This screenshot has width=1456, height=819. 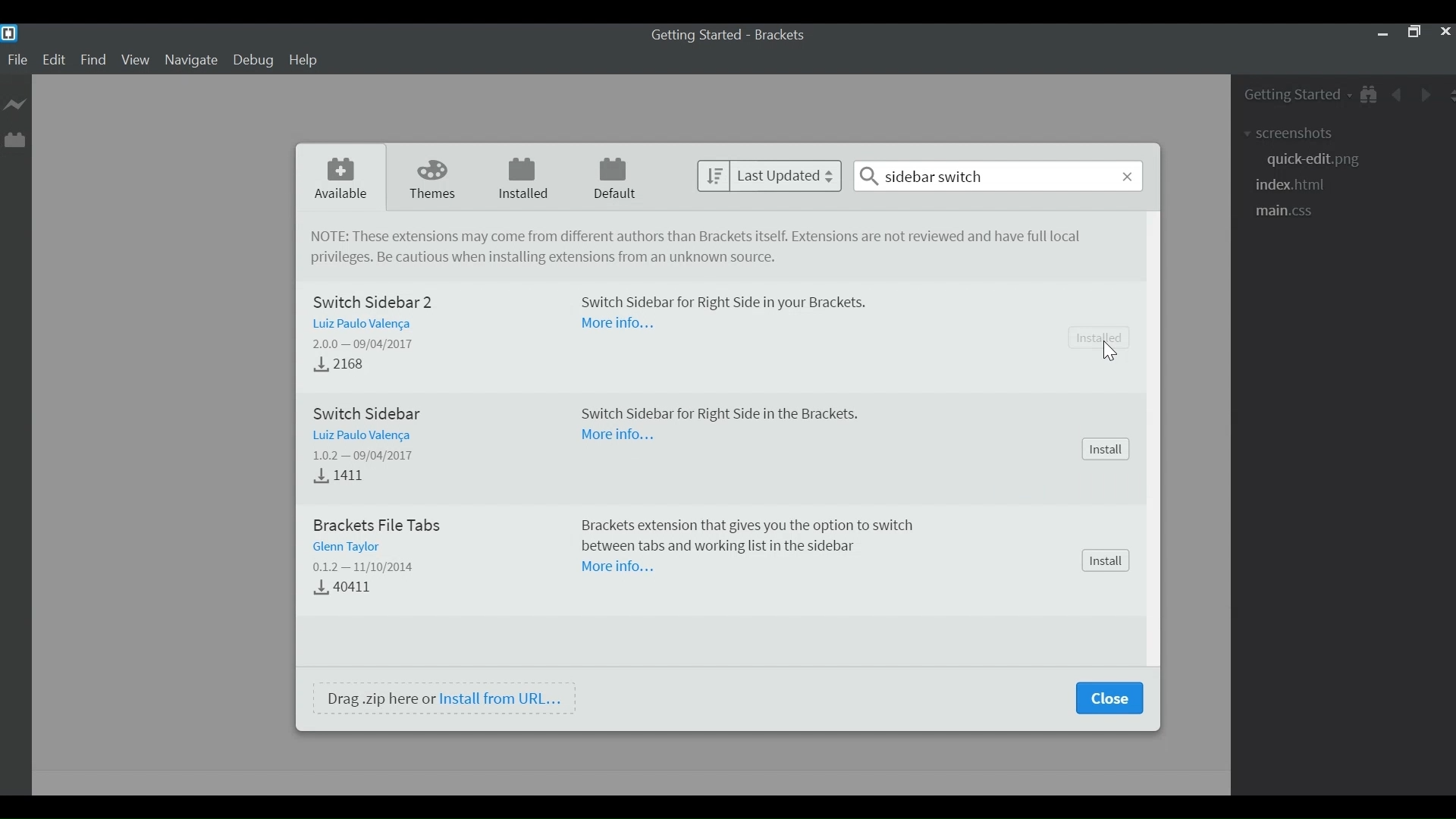 I want to click on Debug, so click(x=256, y=61).